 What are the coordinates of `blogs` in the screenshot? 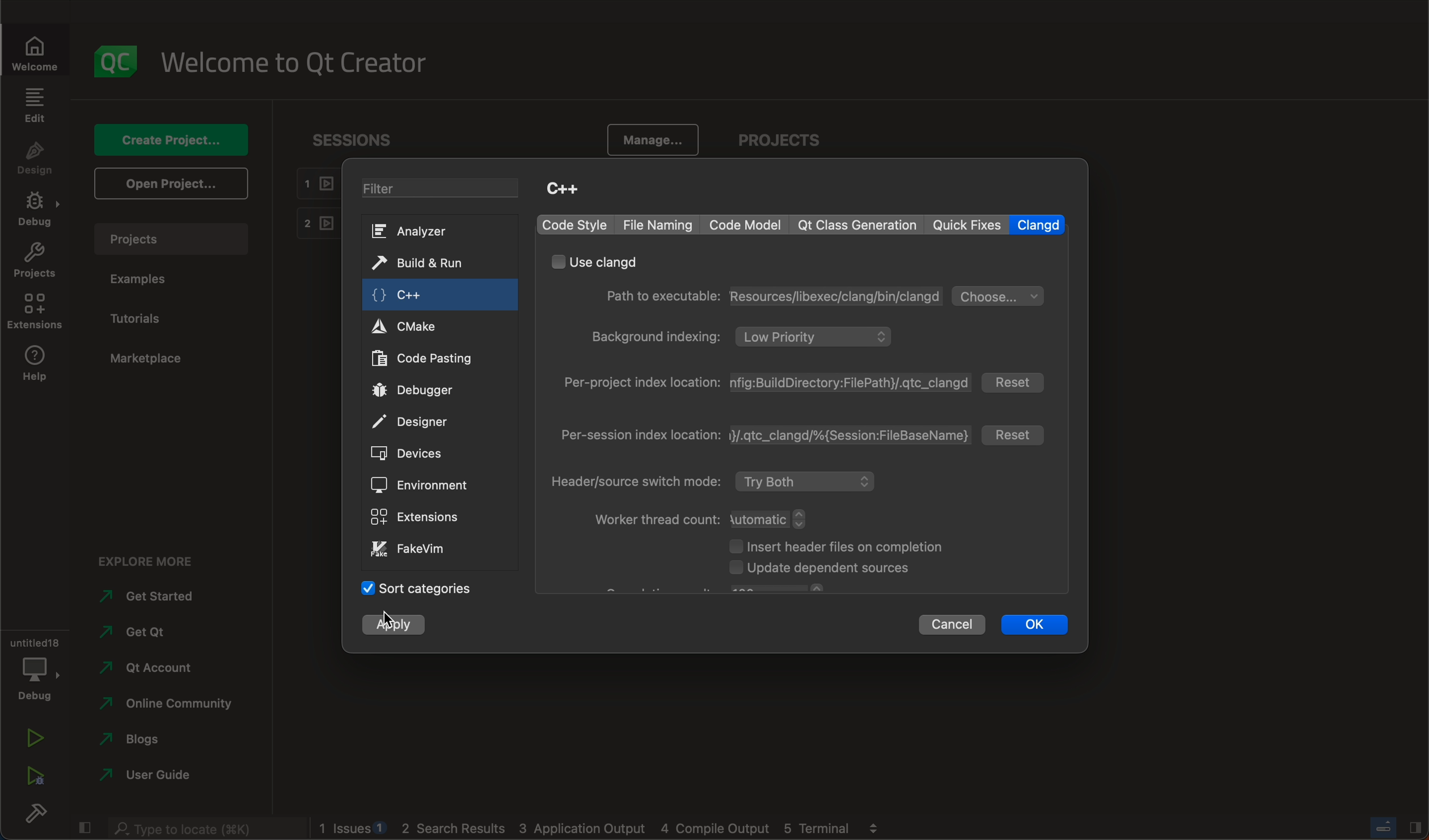 It's located at (146, 739).